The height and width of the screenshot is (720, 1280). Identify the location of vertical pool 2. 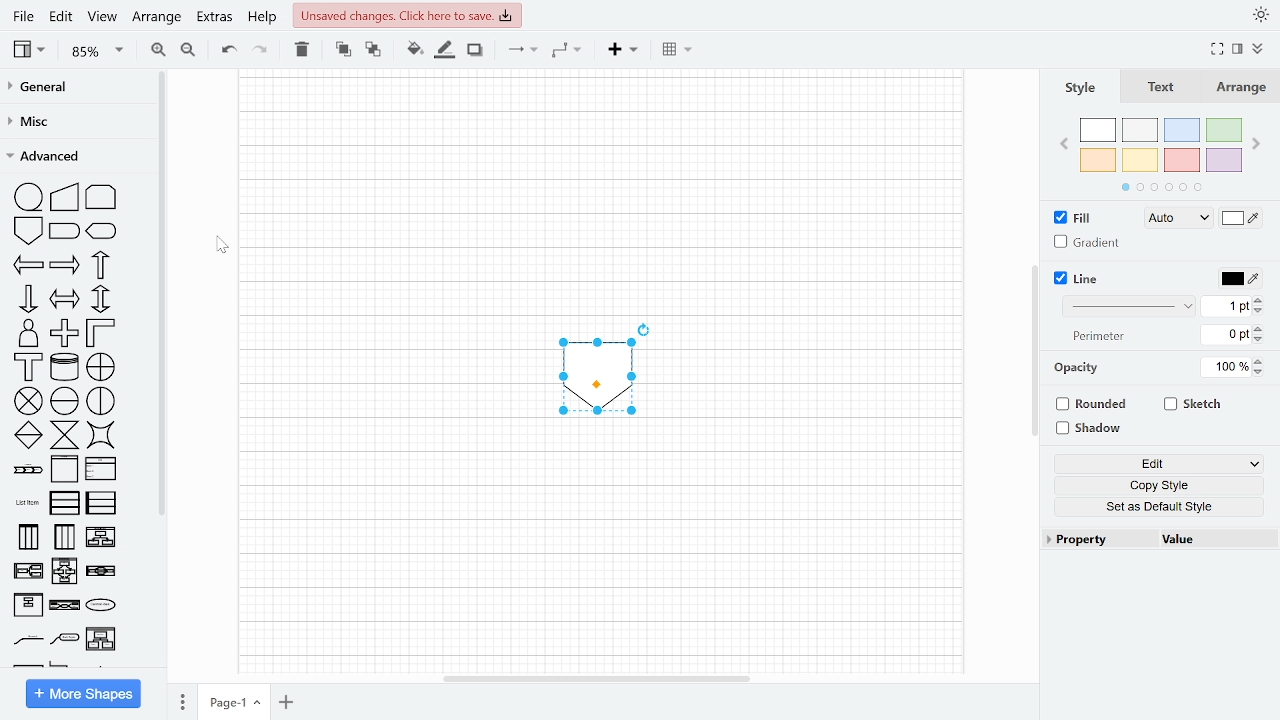
(64, 536).